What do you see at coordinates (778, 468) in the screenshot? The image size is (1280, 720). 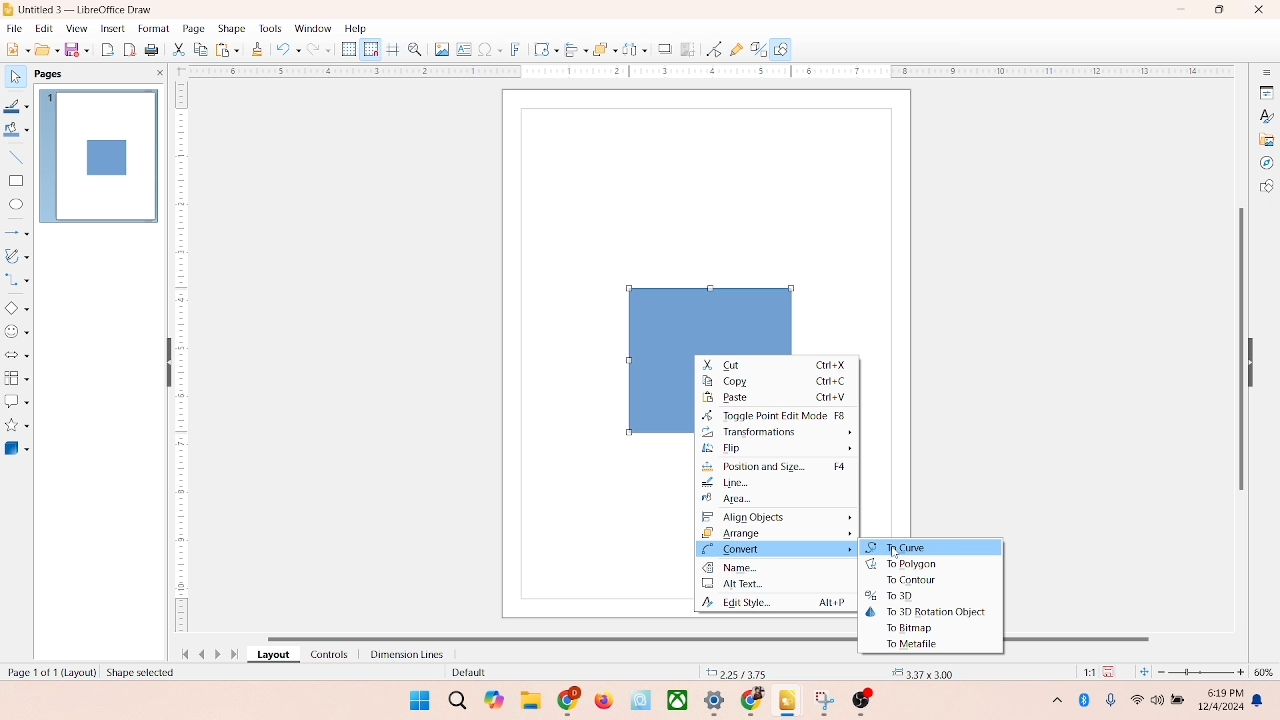 I see `position and size` at bounding box center [778, 468].